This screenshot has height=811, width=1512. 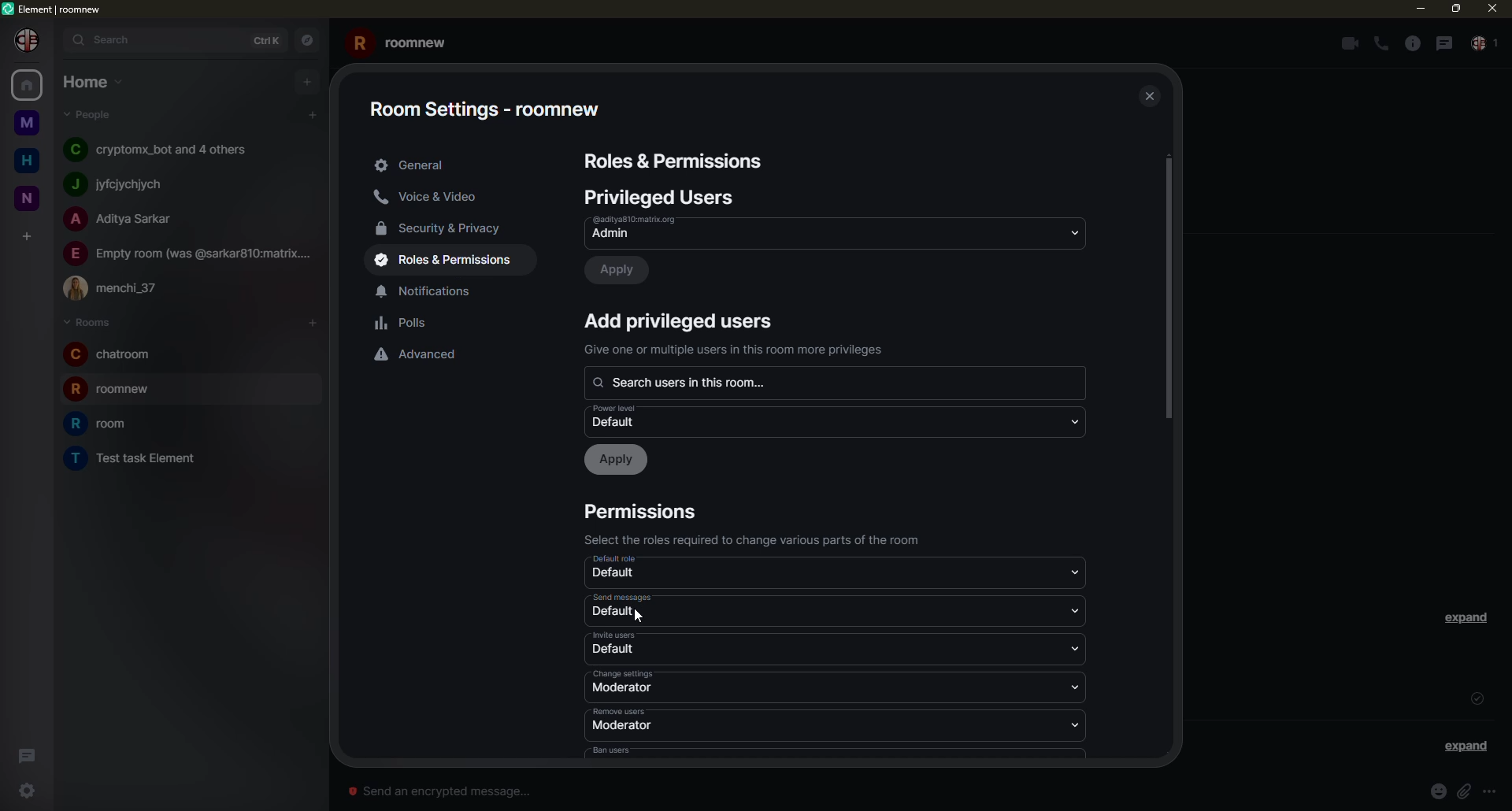 What do you see at coordinates (313, 114) in the screenshot?
I see `add` at bounding box center [313, 114].